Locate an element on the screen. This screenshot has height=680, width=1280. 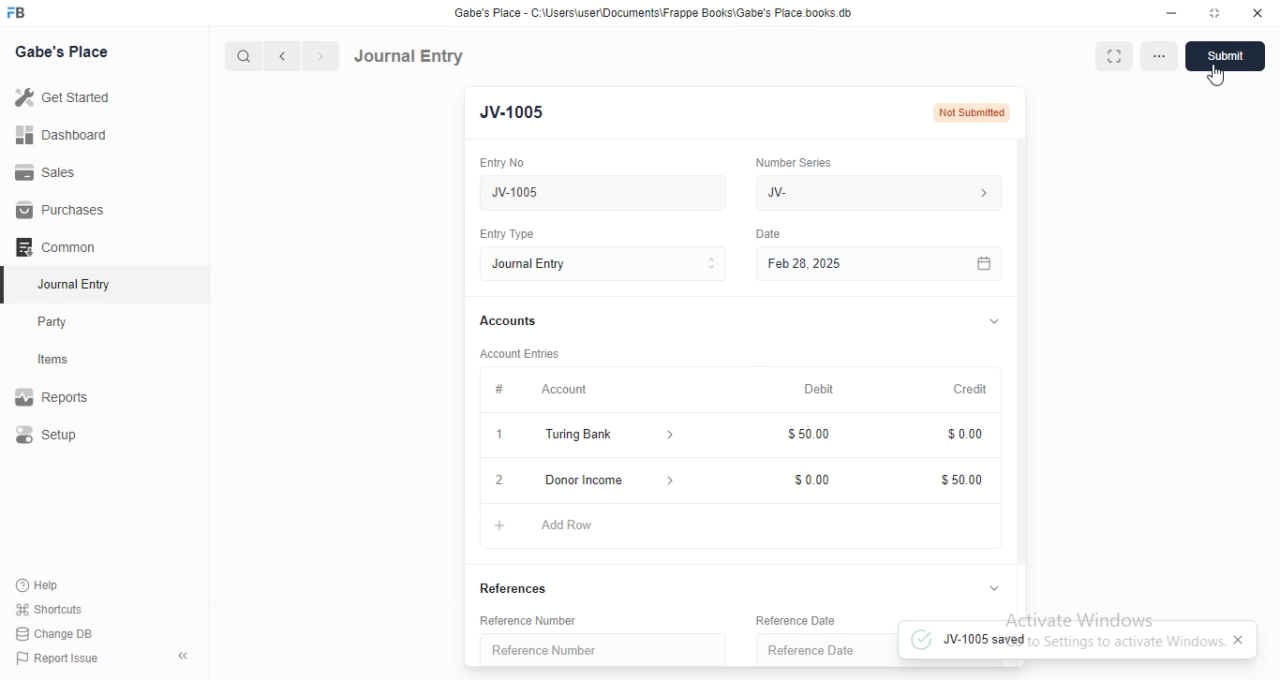
‘Help is located at coordinates (61, 585).